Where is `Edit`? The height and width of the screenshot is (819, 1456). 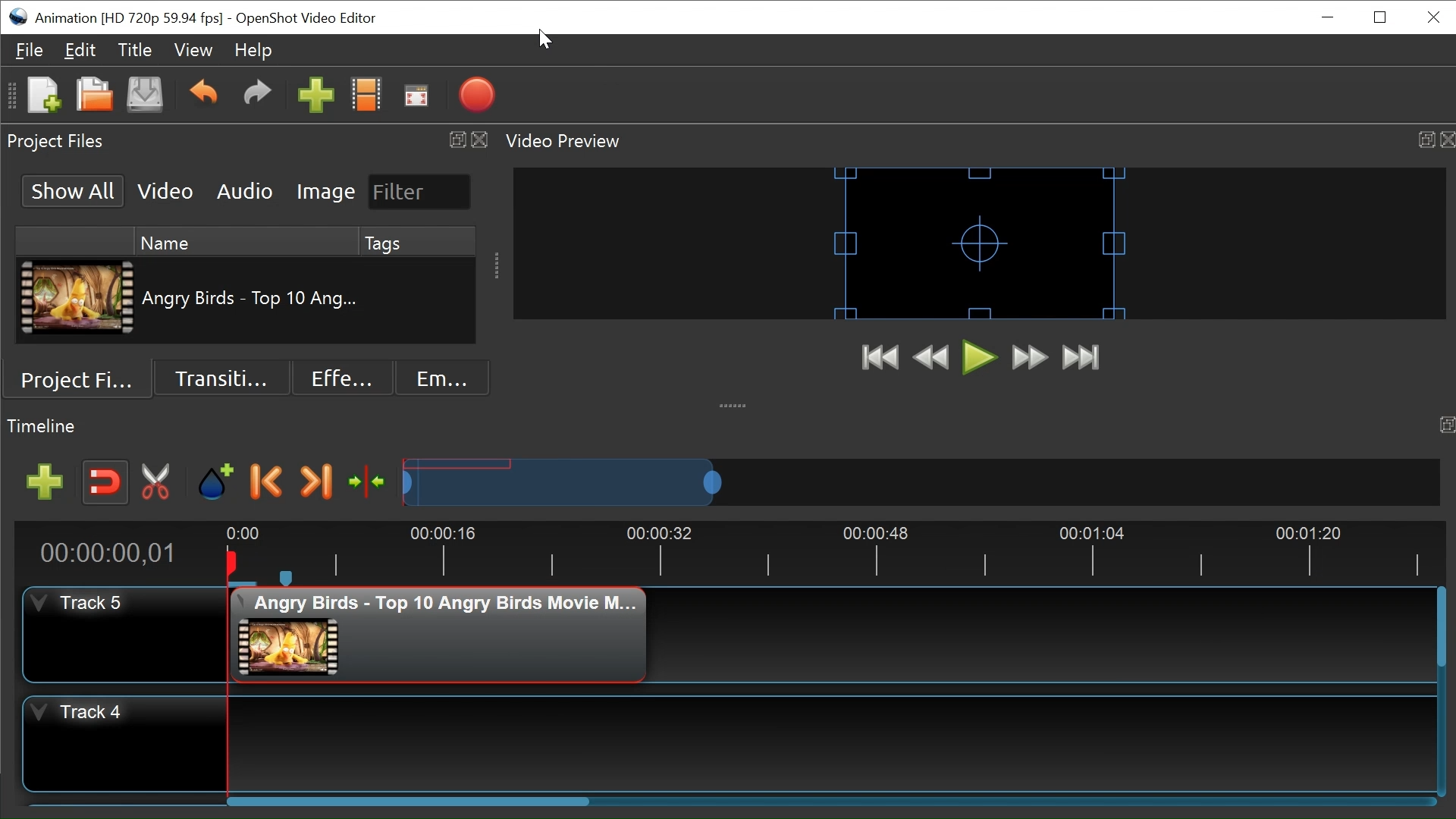 Edit is located at coordinates (80, 50).